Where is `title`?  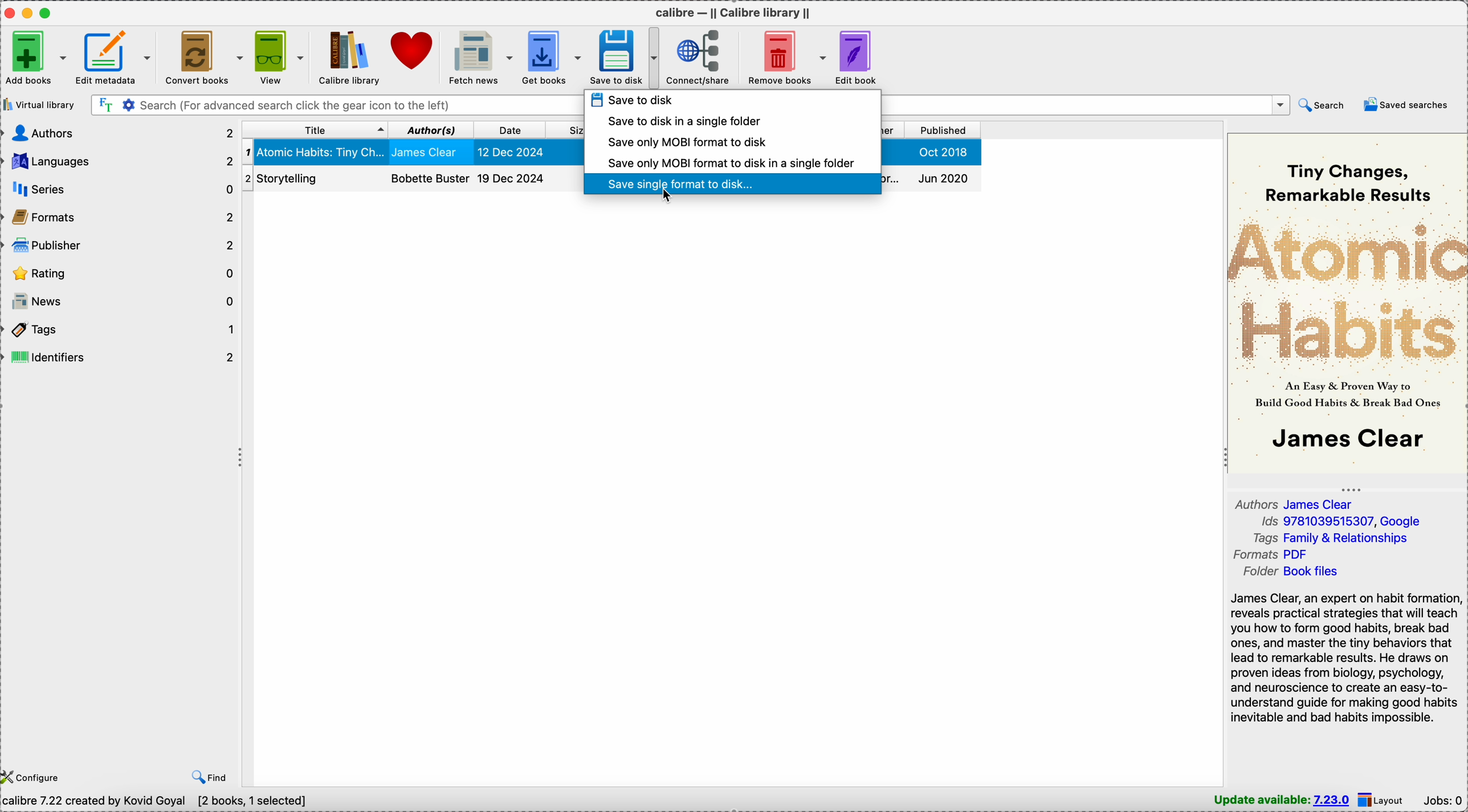 title is located at coordinates (316, 130).